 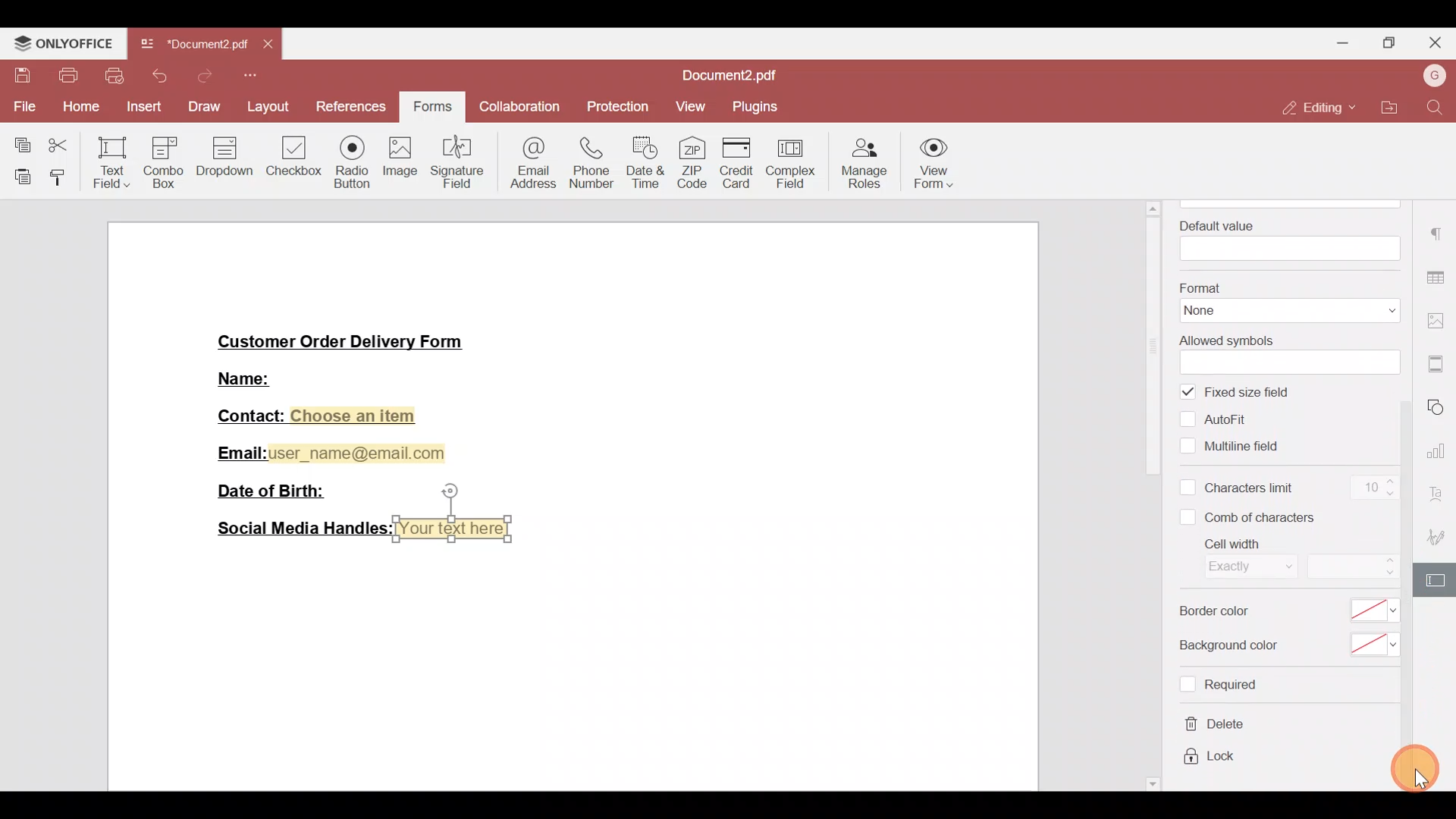 I want to click on Save, so click(x=17, y=76).